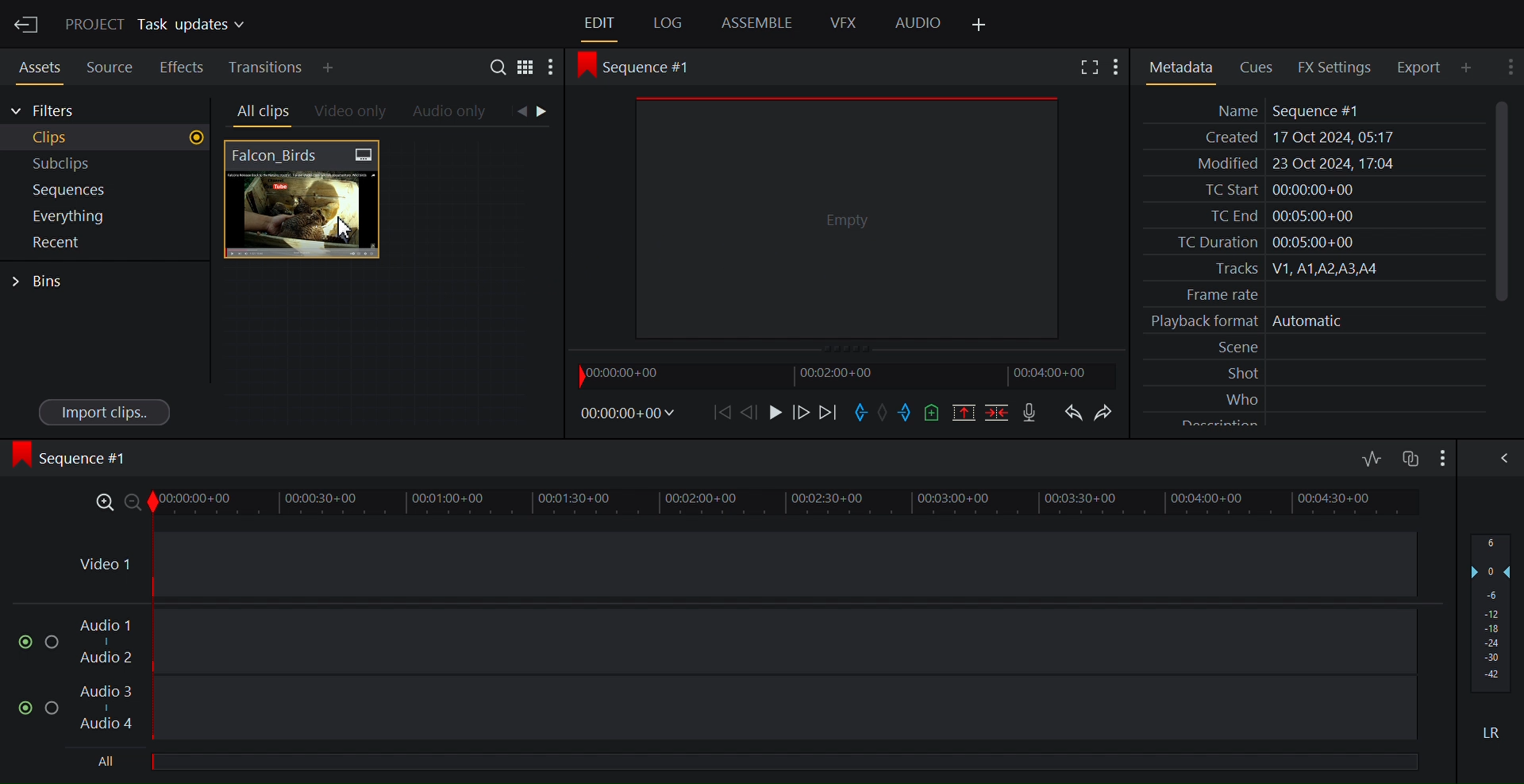 The image size is (1524, 784). I want to click on Audio only, so click(451, 113).